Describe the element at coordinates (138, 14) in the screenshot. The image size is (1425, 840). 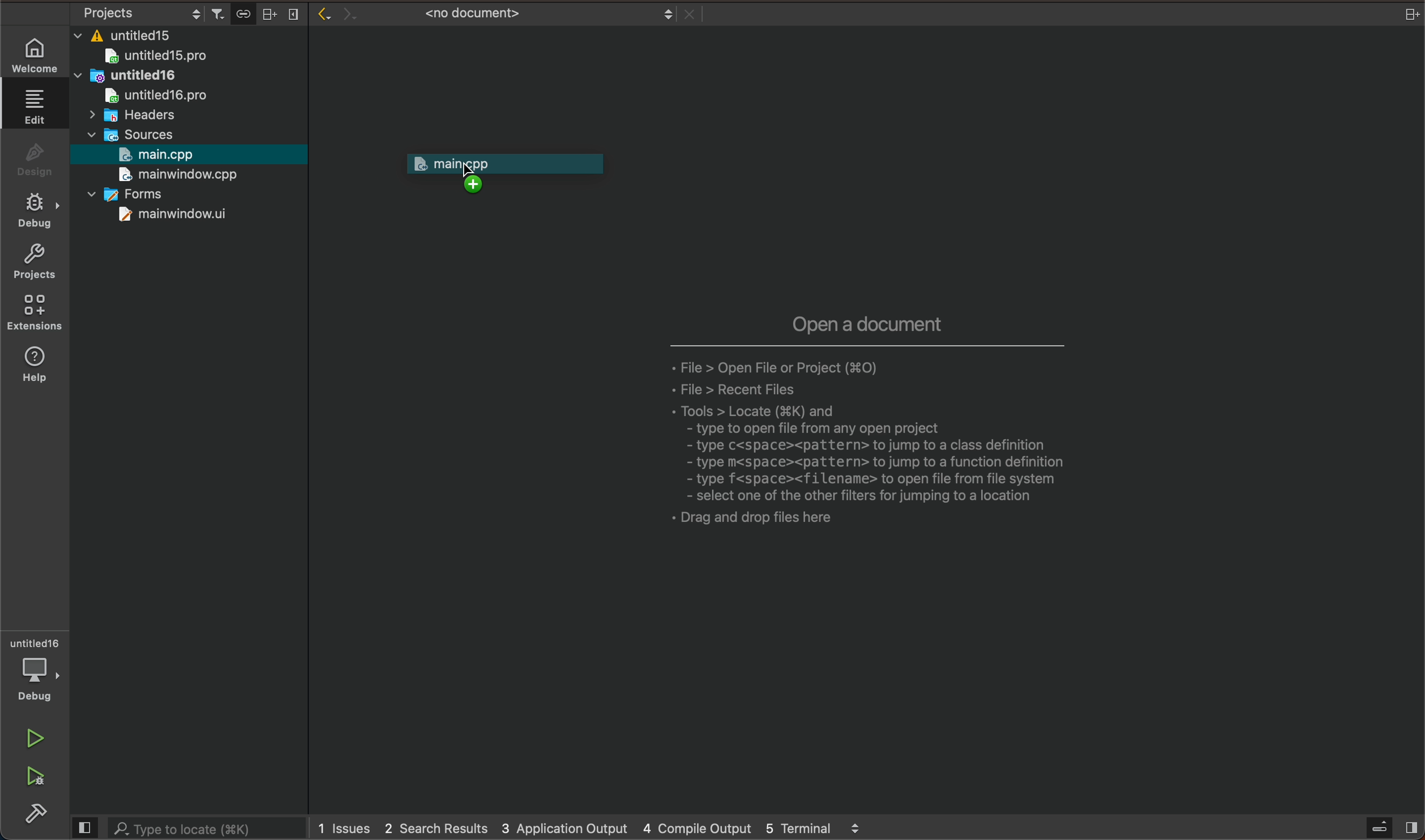
I see `select project` at that location.